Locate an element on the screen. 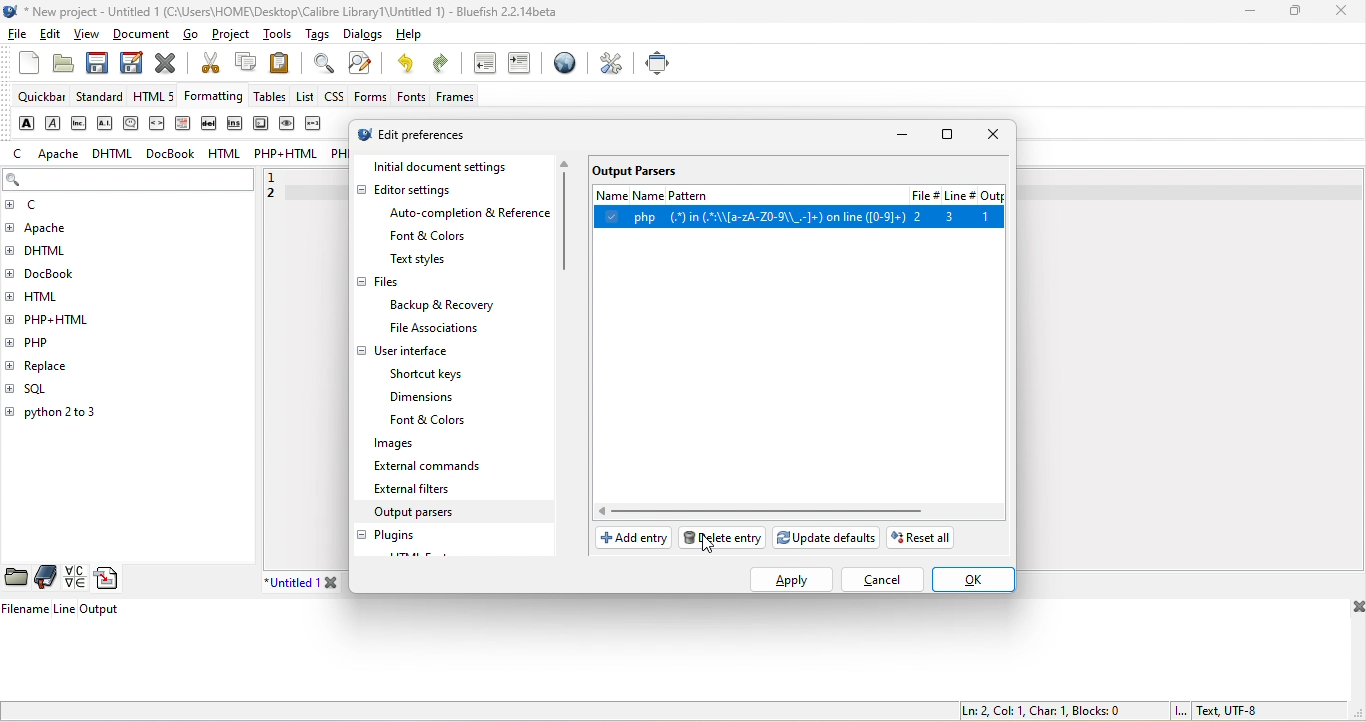 This screenshot has width=1366, height=722. editor settings is located at coordinates (424, 190).